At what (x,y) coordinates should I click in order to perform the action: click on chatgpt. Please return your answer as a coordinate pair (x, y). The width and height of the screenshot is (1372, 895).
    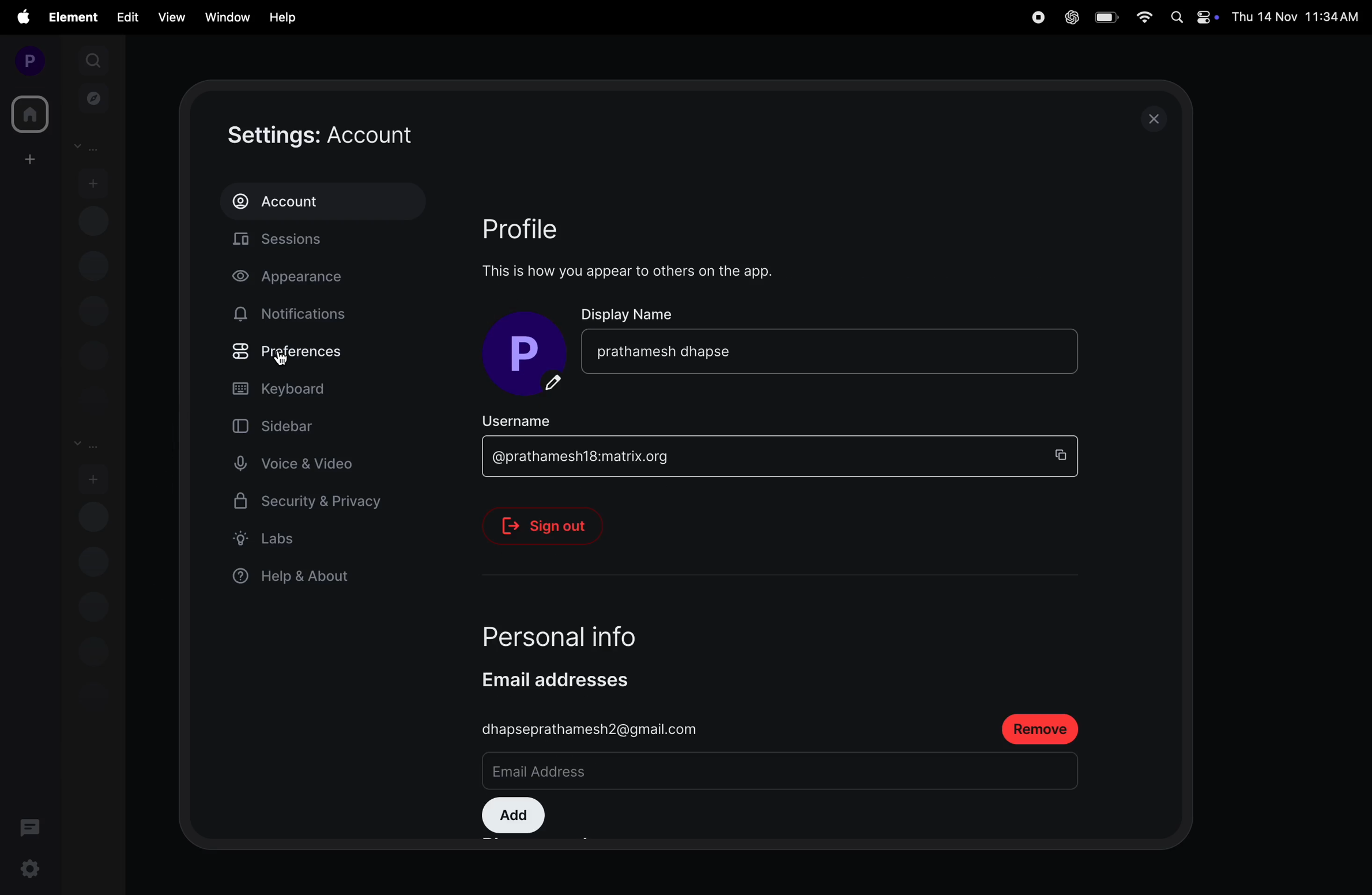
    Looking at the image, I should click on (1069, 17).